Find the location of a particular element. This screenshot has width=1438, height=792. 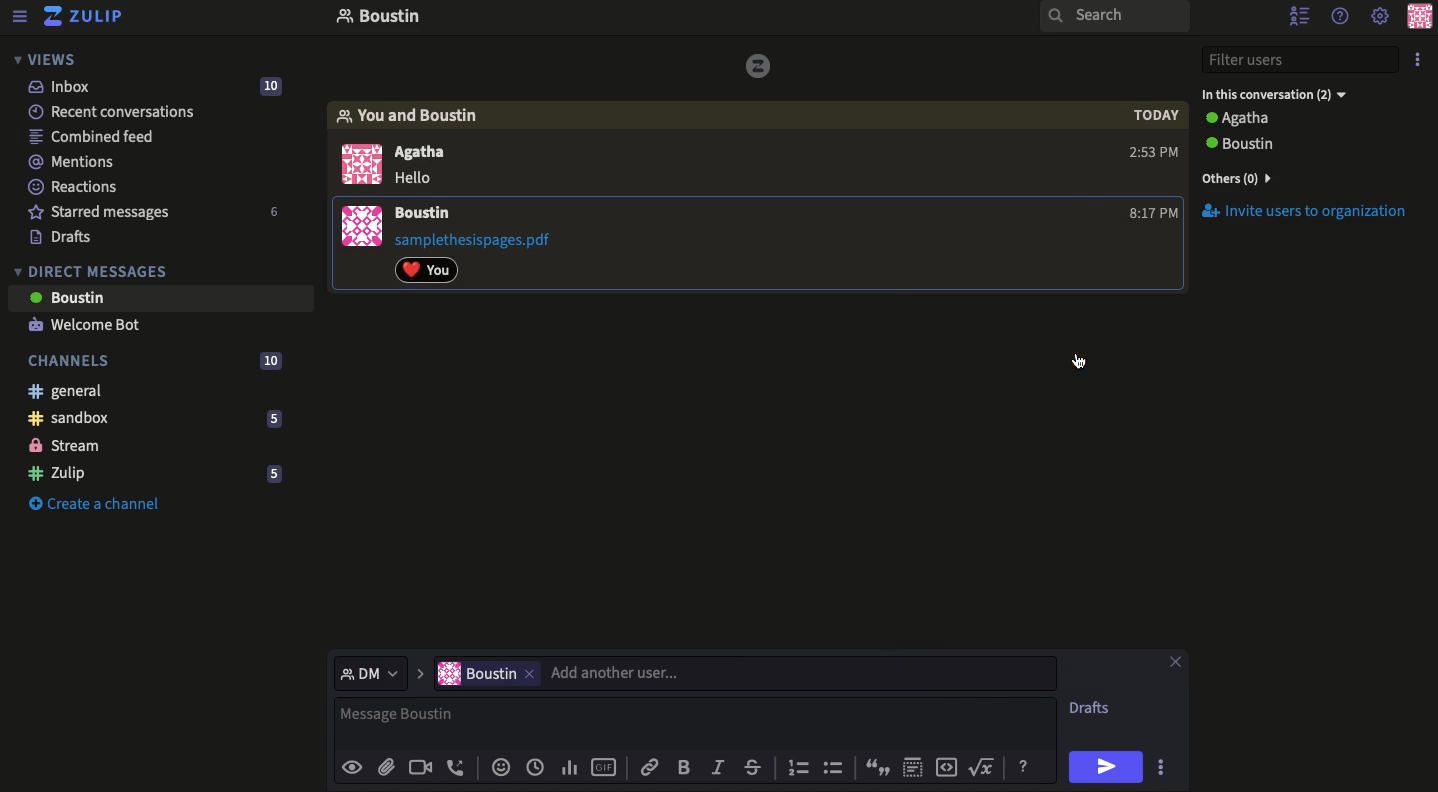

View all users is located at coordinates (1258, 181).